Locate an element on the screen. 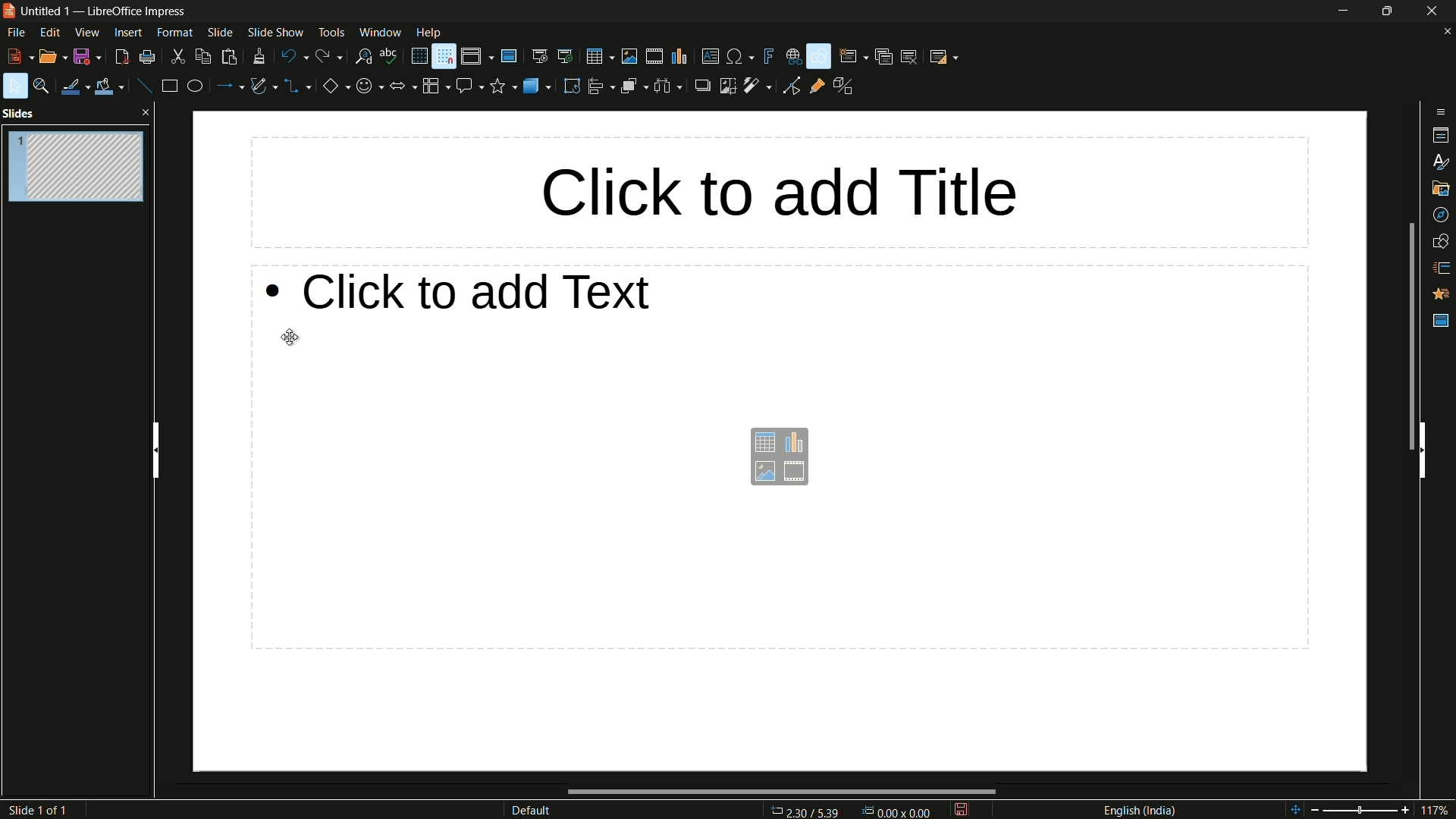 This screenshot has height=819, width=1456. zoom and pan is located at coordinates (42, 88).